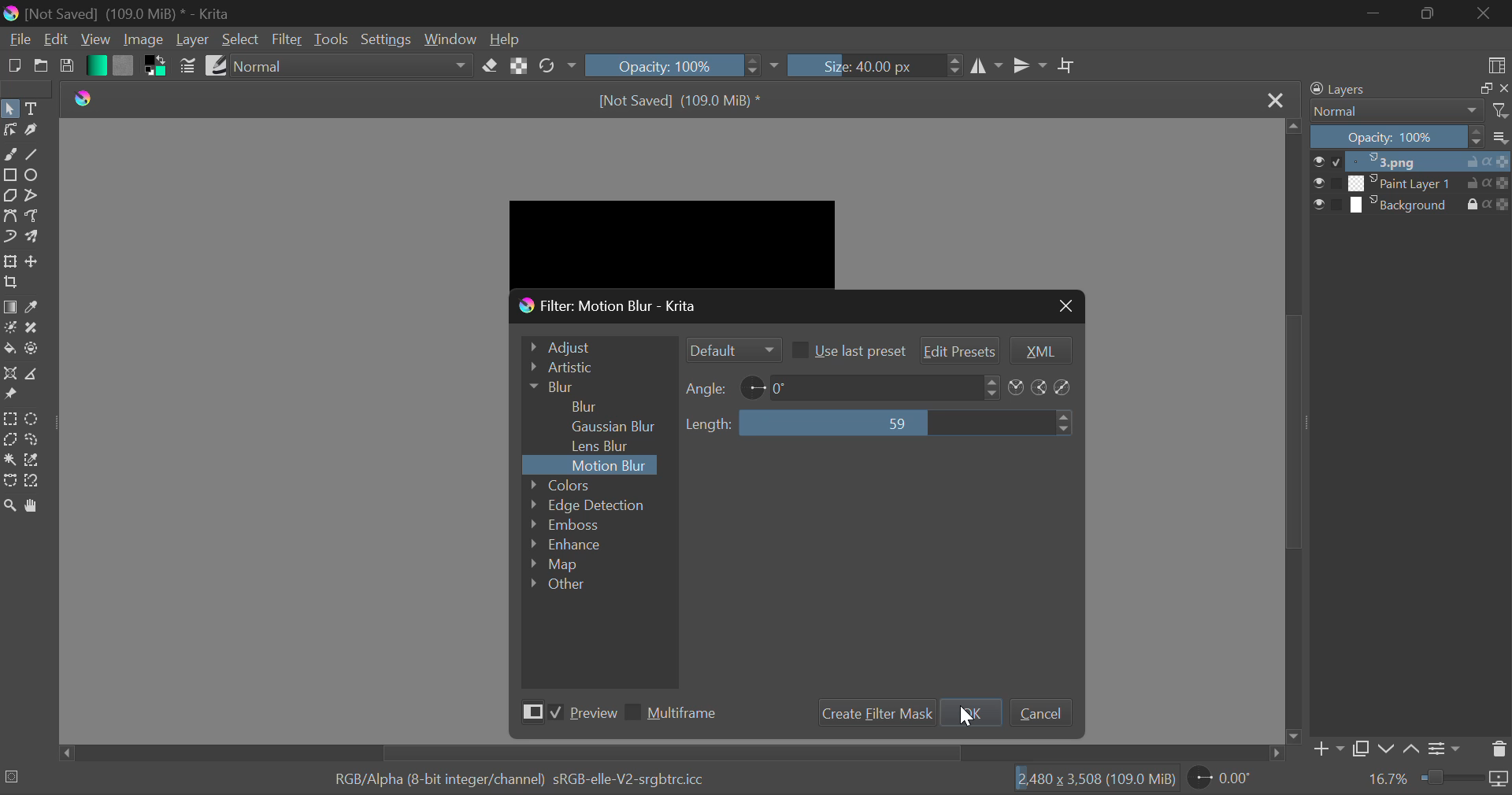 The height and width of the screenshot is (795, 1512). Describe the element at coordinates (582, 484) in the screenshot. I see `Colors` at that location.